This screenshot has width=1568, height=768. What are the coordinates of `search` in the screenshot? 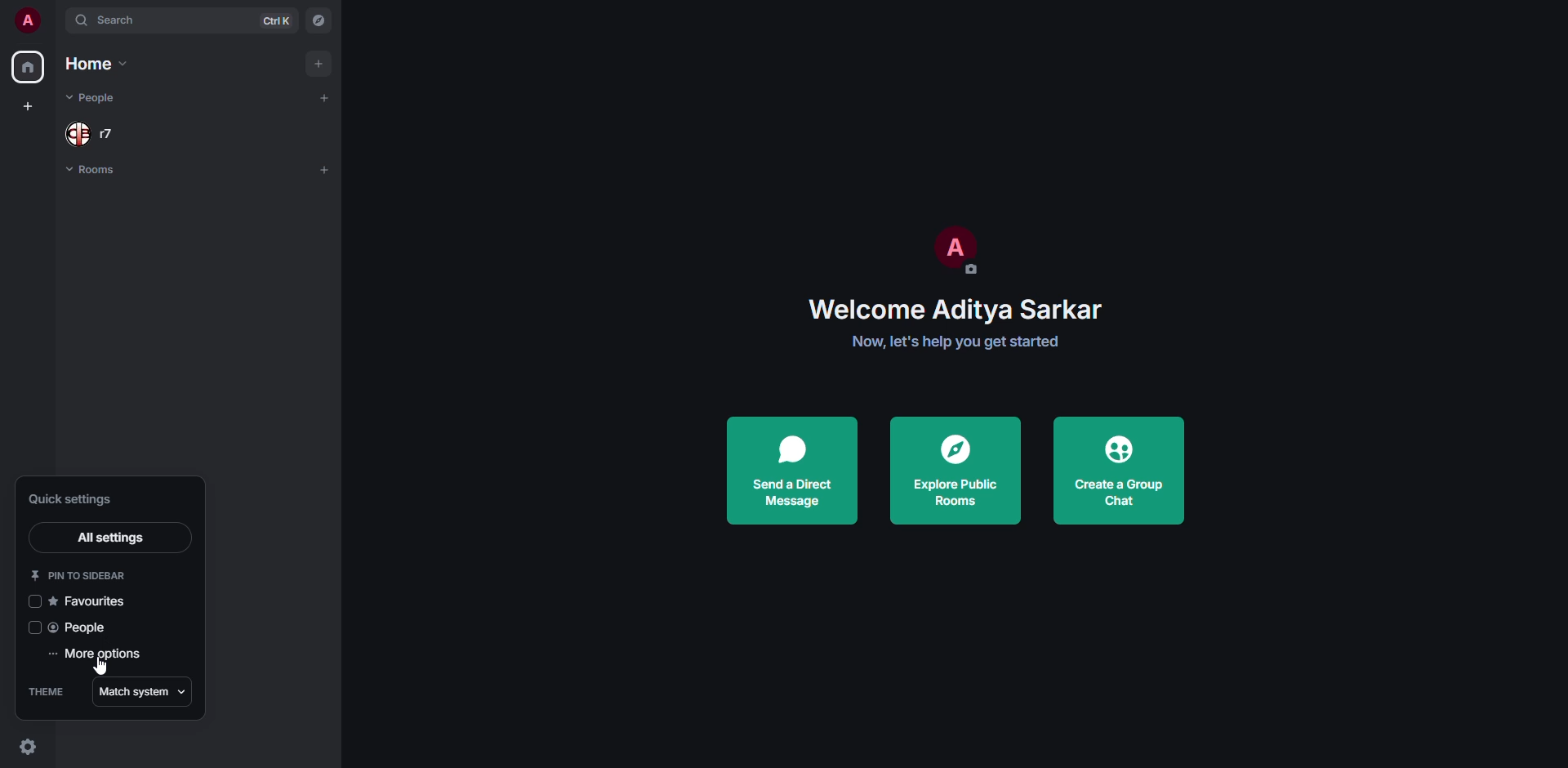 It's located at (120, 21).